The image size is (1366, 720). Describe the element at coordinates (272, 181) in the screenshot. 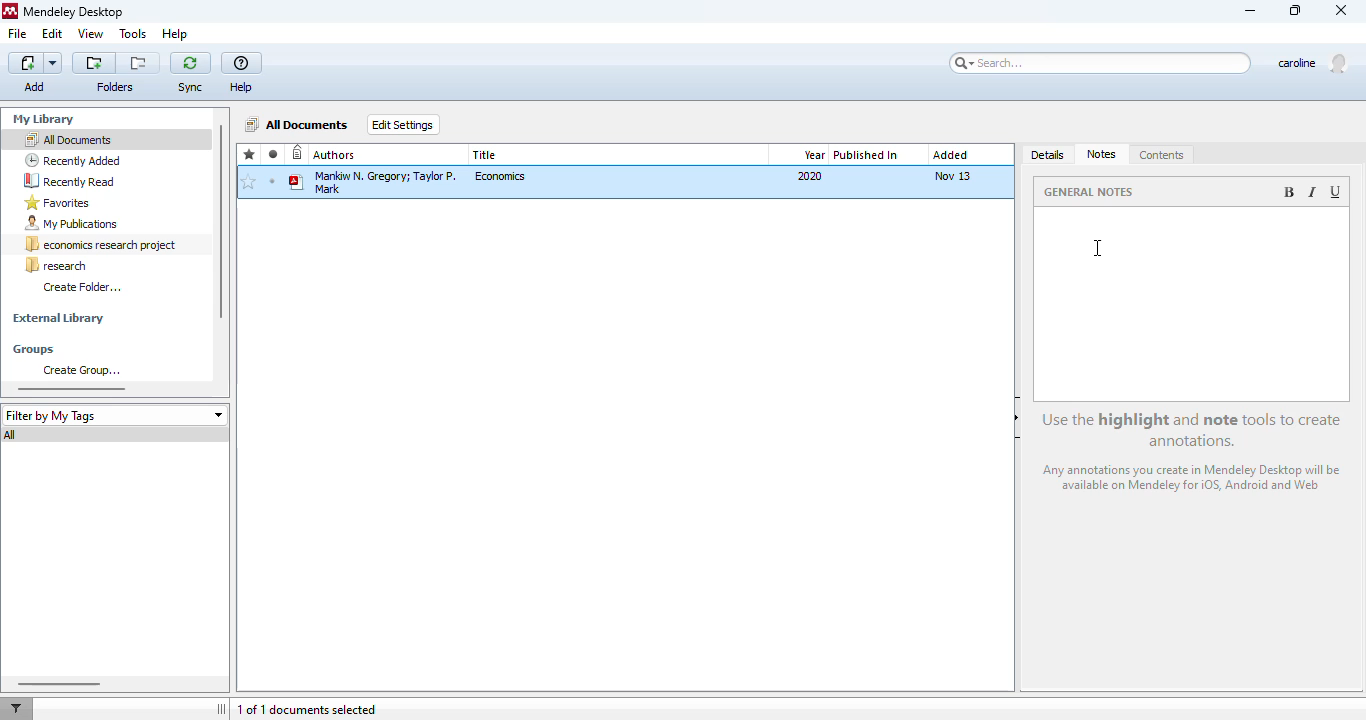

I see `unread` at that location.